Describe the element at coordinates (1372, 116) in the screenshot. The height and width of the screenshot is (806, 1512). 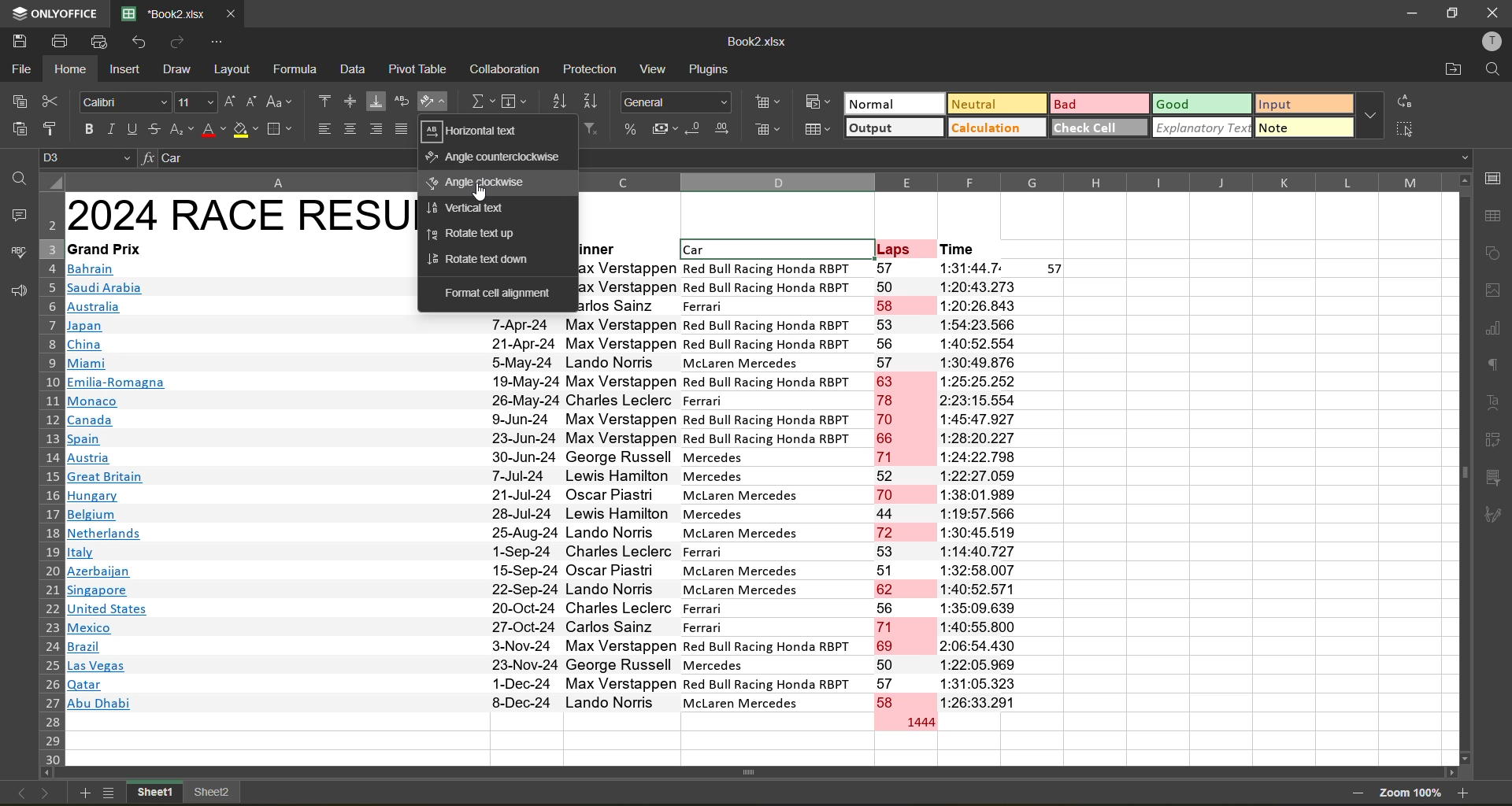
I see `more options` at that location.